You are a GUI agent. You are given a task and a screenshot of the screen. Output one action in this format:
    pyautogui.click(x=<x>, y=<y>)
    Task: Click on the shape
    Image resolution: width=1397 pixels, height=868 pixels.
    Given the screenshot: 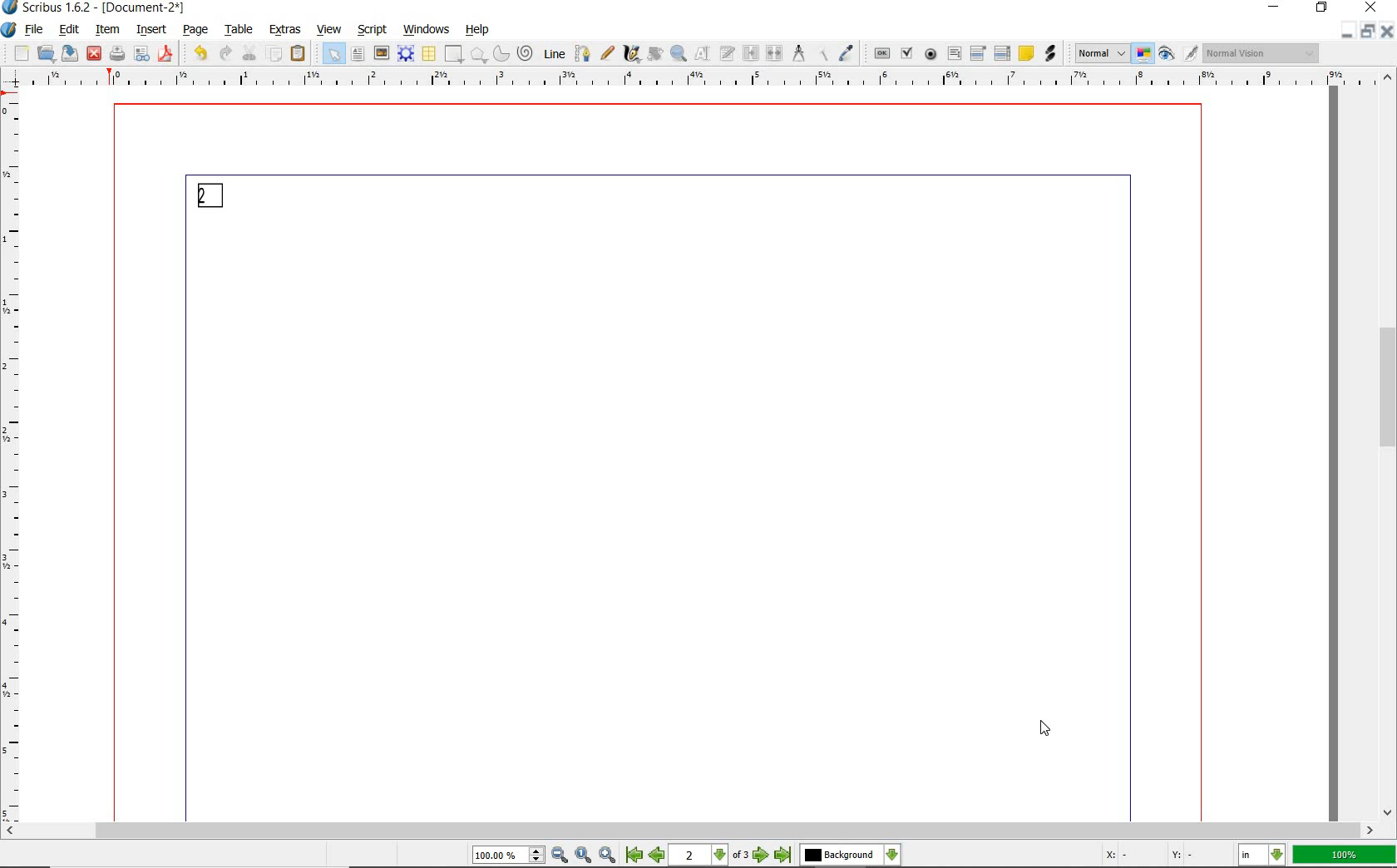 What is the action you would take?
    pyautogui.click(x=452, y=55)
    